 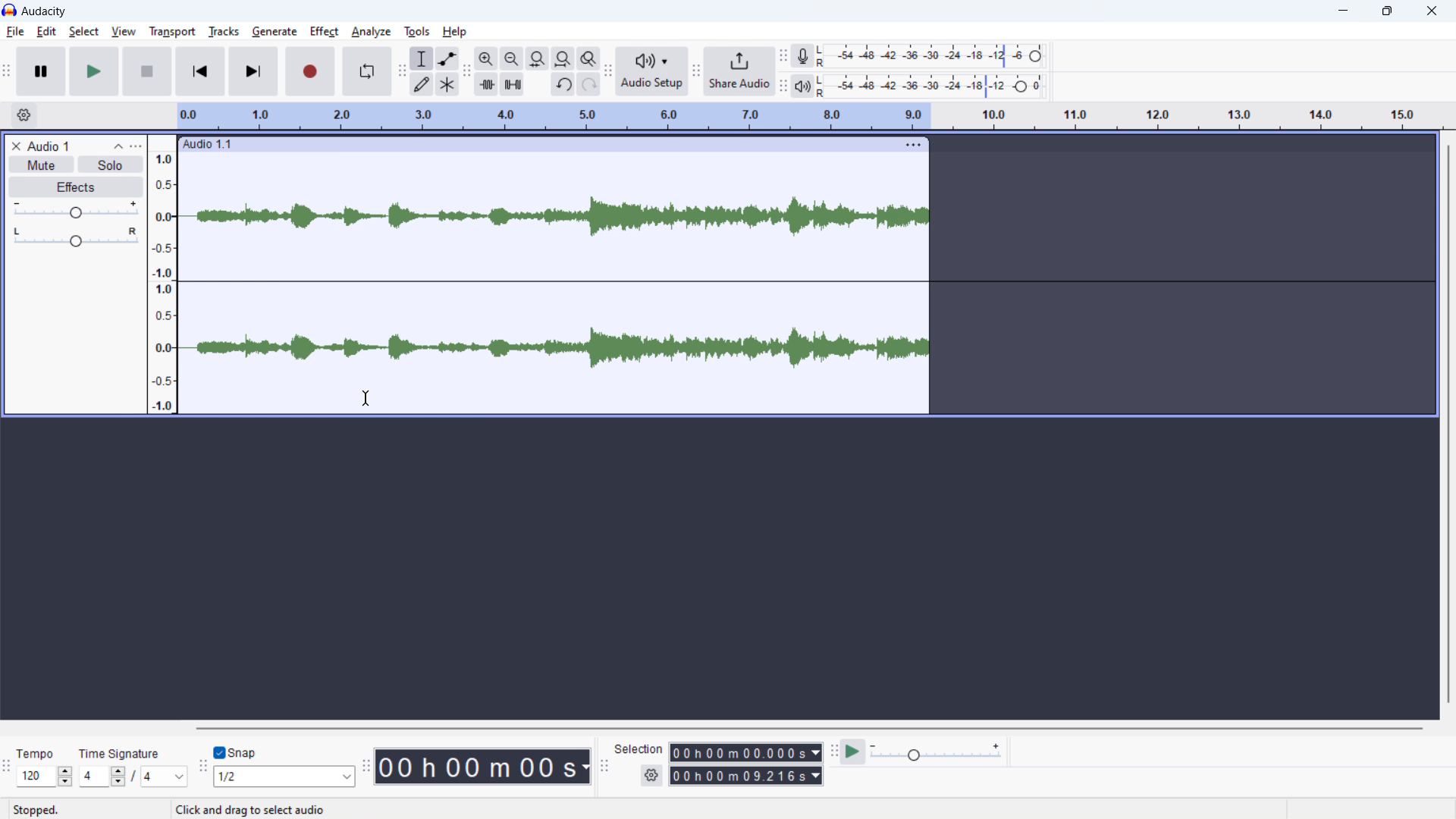 What do you see at coordinates (284, 777) in the screenshot?
I see `set snappping` at bounding box center [284, 777].